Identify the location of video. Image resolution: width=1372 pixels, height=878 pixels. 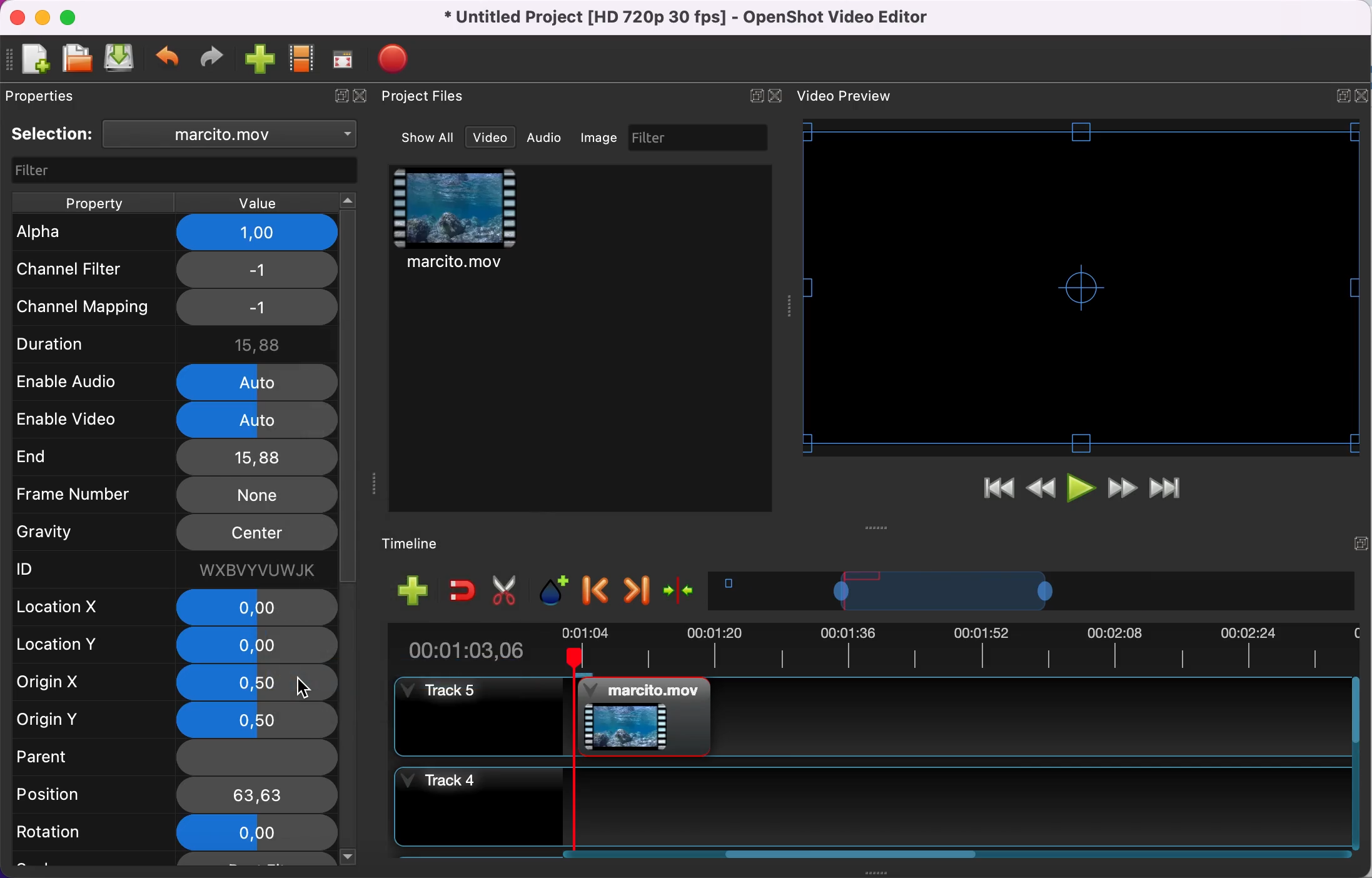
(490, 138).